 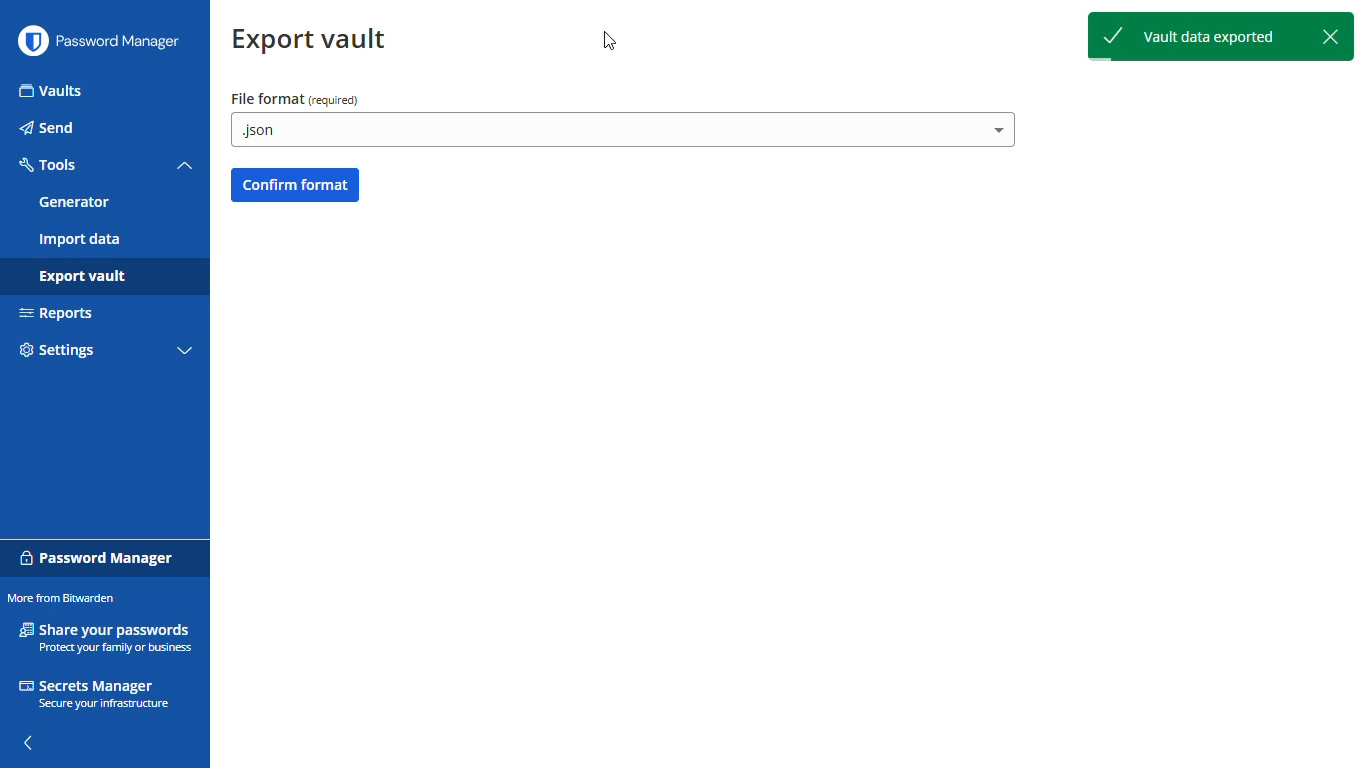 I want to click on hide, so click(x=30, y=742).